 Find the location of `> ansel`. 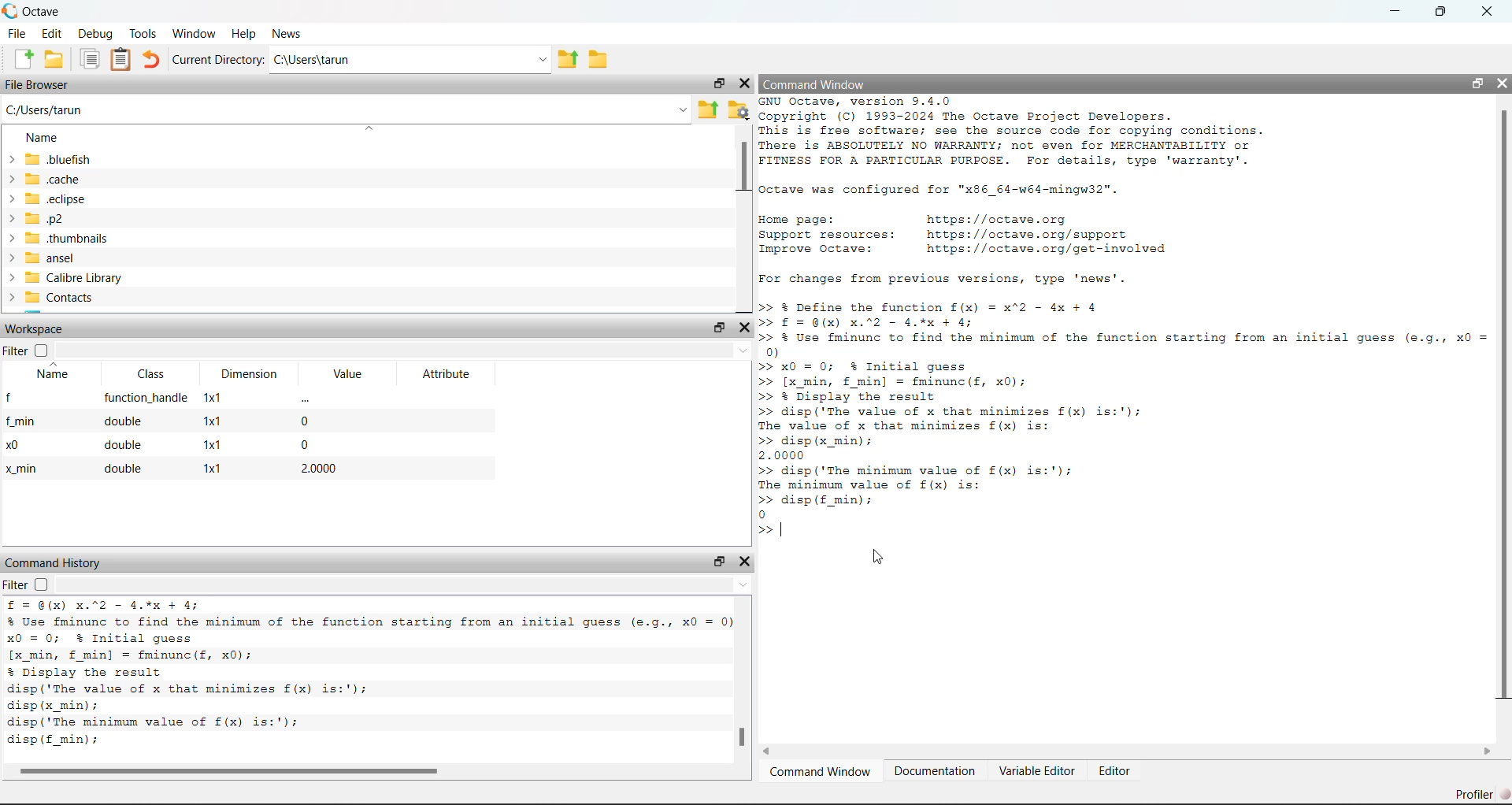

> ansel is located at coordinates (46, 257).